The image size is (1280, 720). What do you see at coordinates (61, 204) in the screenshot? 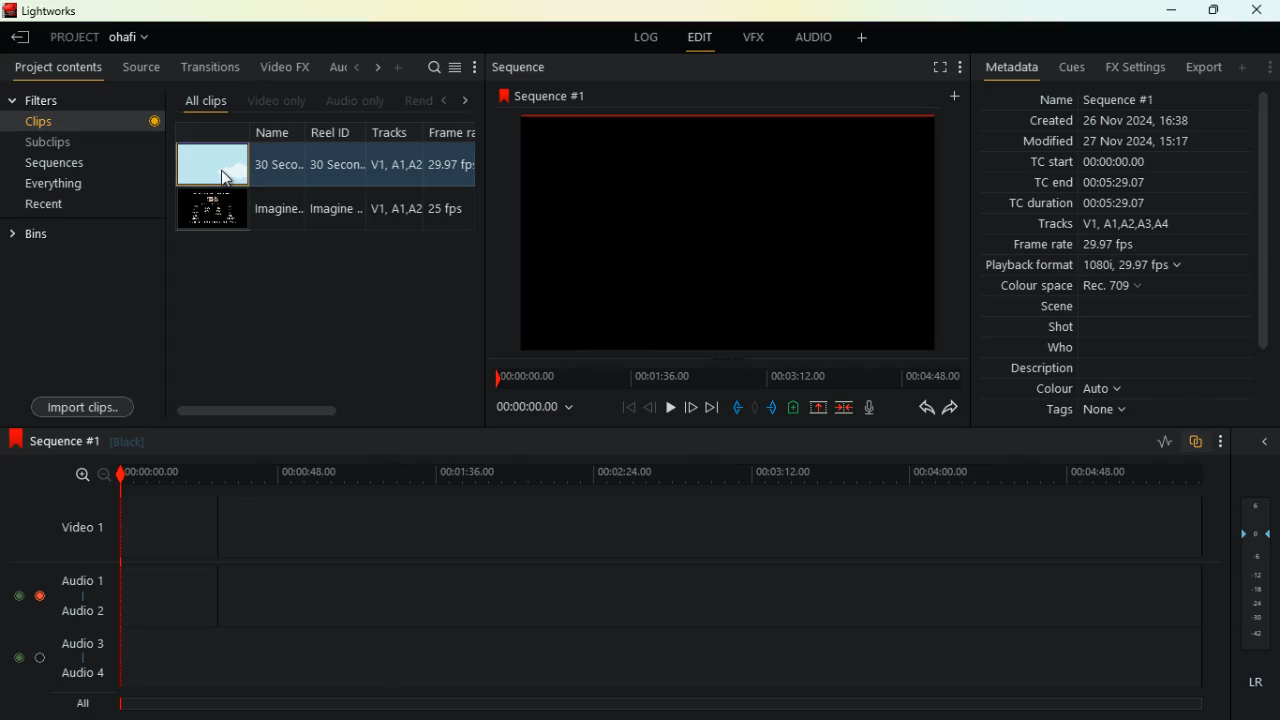
I see `recent` at bounding box center [61, 204].